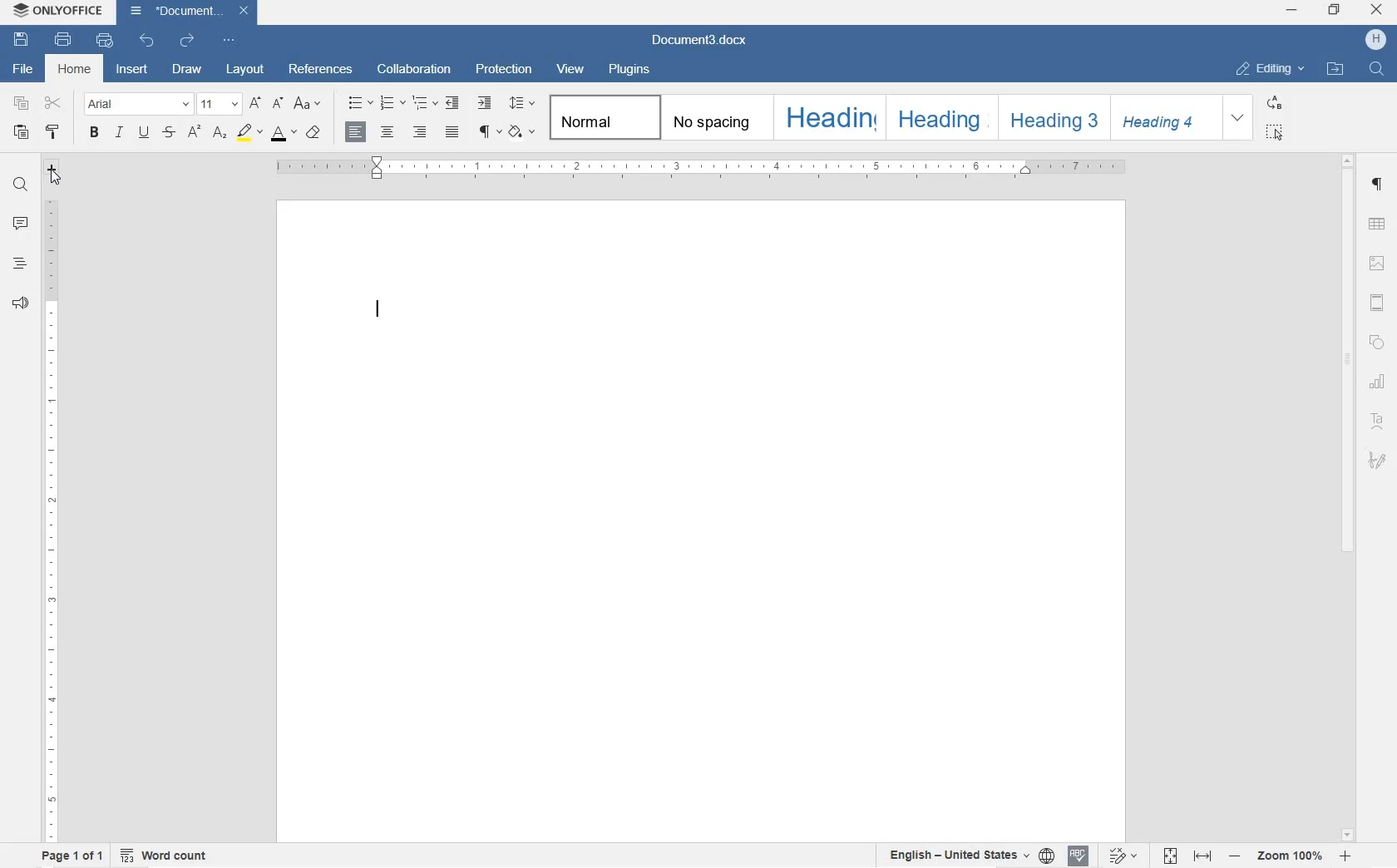 This screenshot has height=868, width=1397. What do you see at coordinates (222, 103) in the screenshot?
I see `FONT SIZE` at bounding box center [222, 103].